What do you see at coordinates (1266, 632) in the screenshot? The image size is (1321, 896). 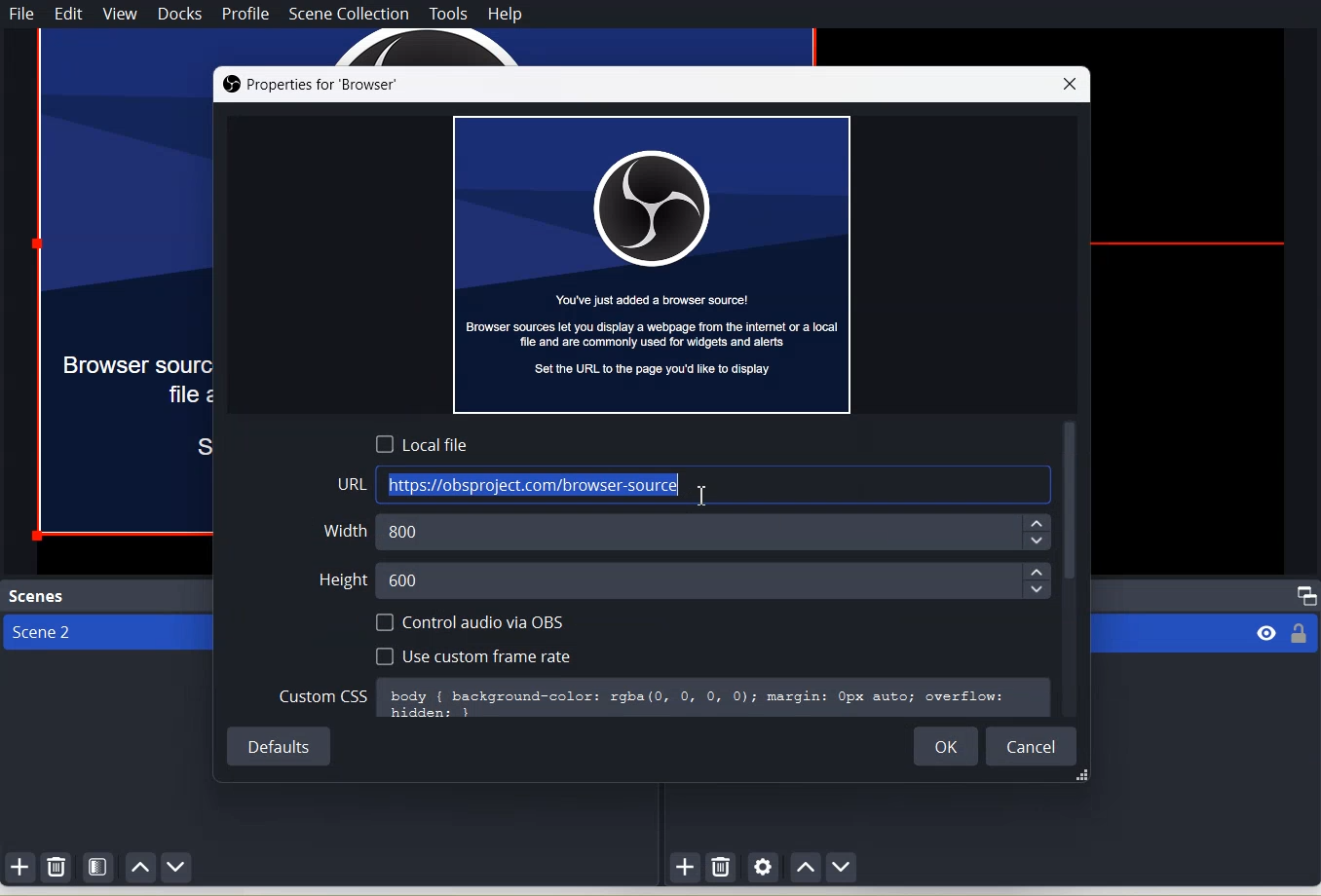 I see `visibility eye icon` at bounding box center [1266, 632].